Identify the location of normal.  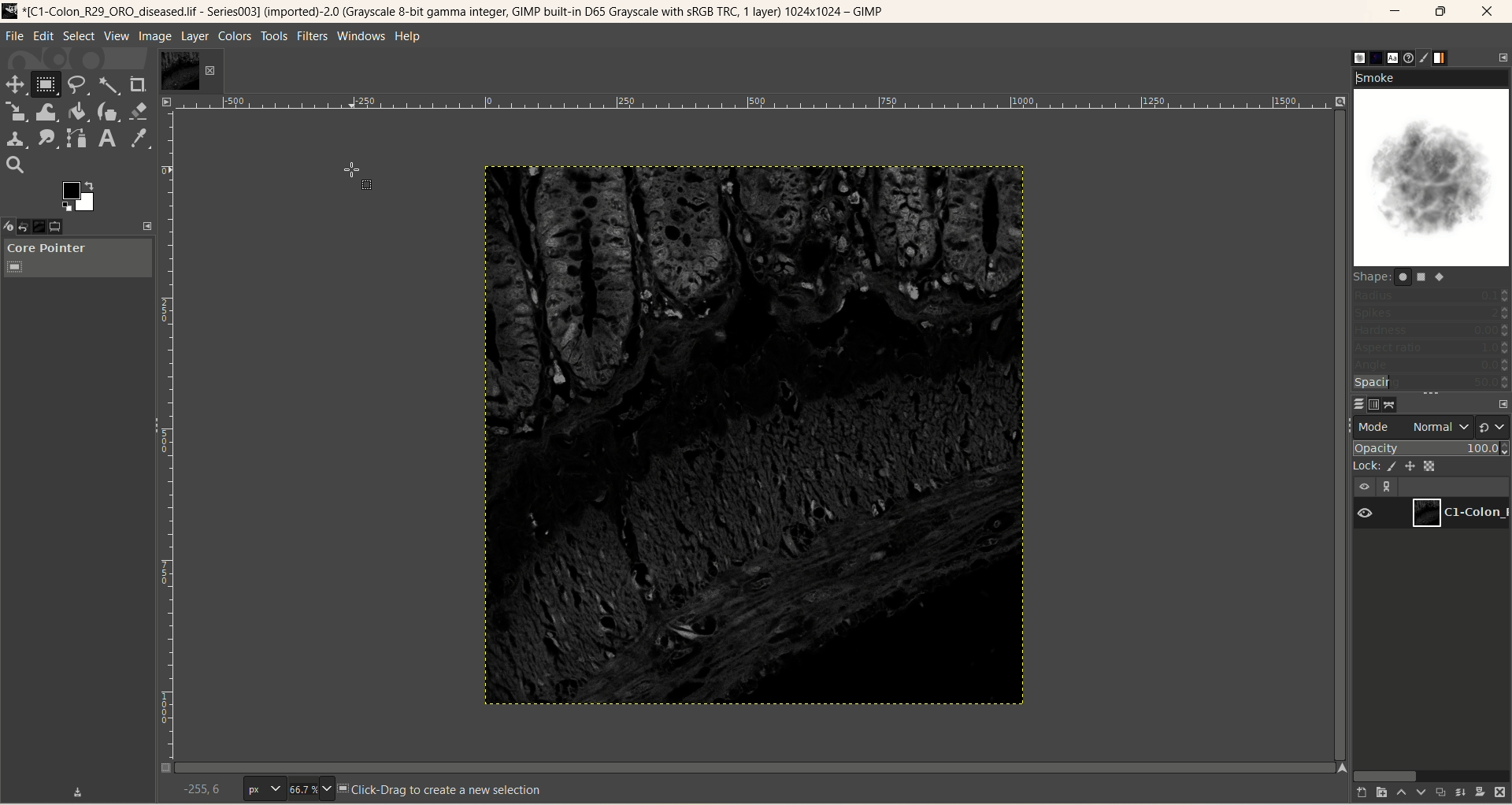
(1438, 427).